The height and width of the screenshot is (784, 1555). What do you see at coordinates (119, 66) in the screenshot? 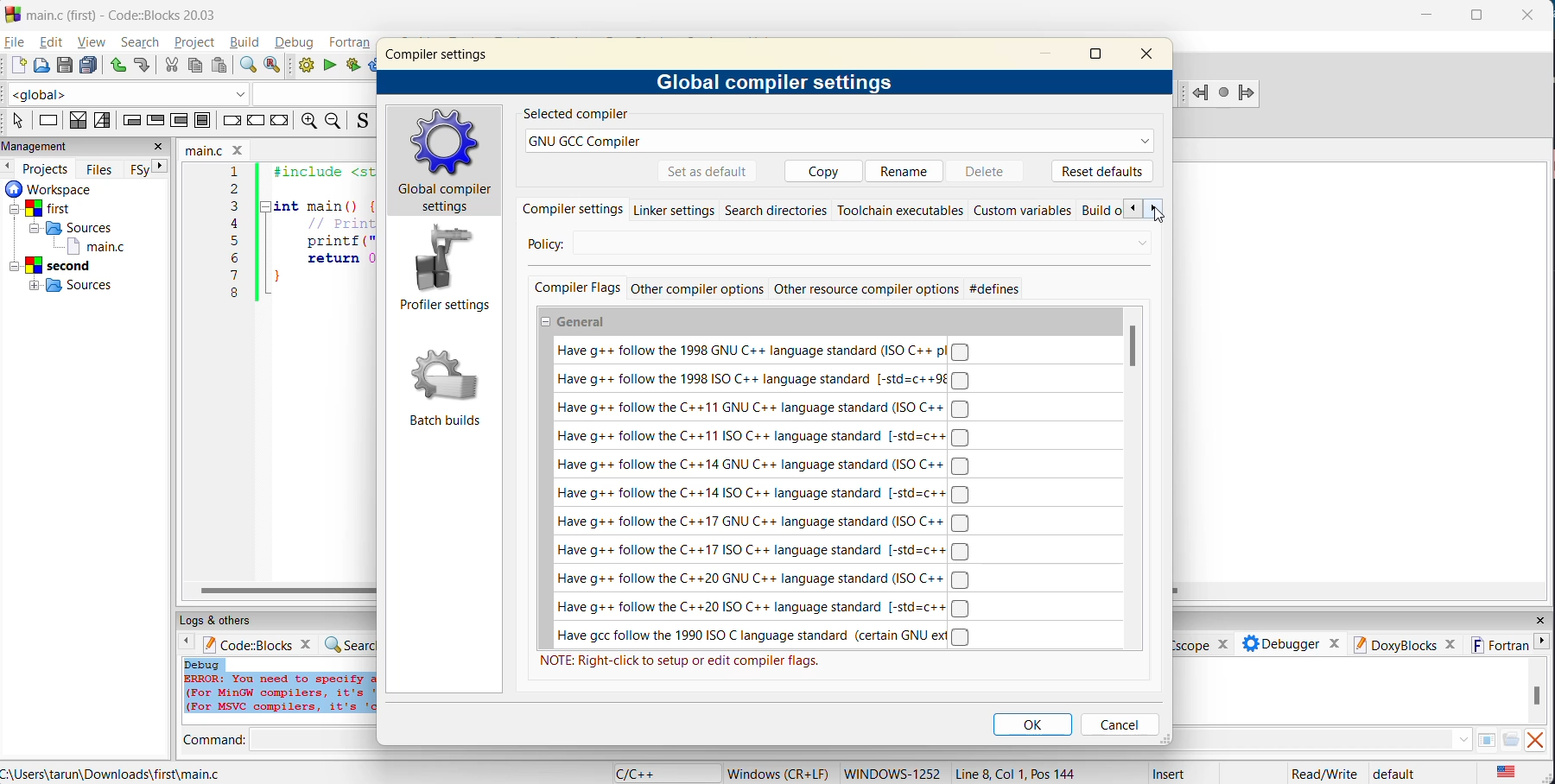
I see `undo` at bounding box center [119, 66].